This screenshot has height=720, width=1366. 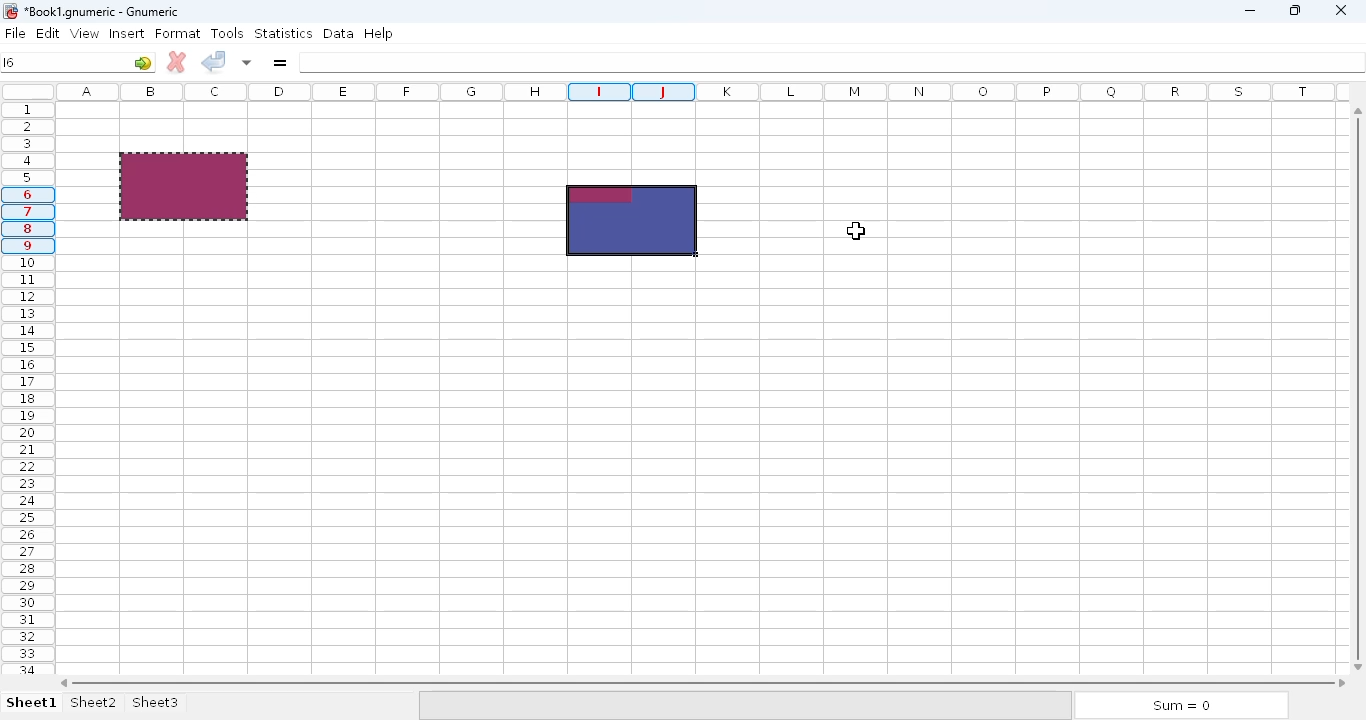 What do you see at coordinates (226, 33) in the screenshot?
I see `tools` at bounding box center [226, 33].